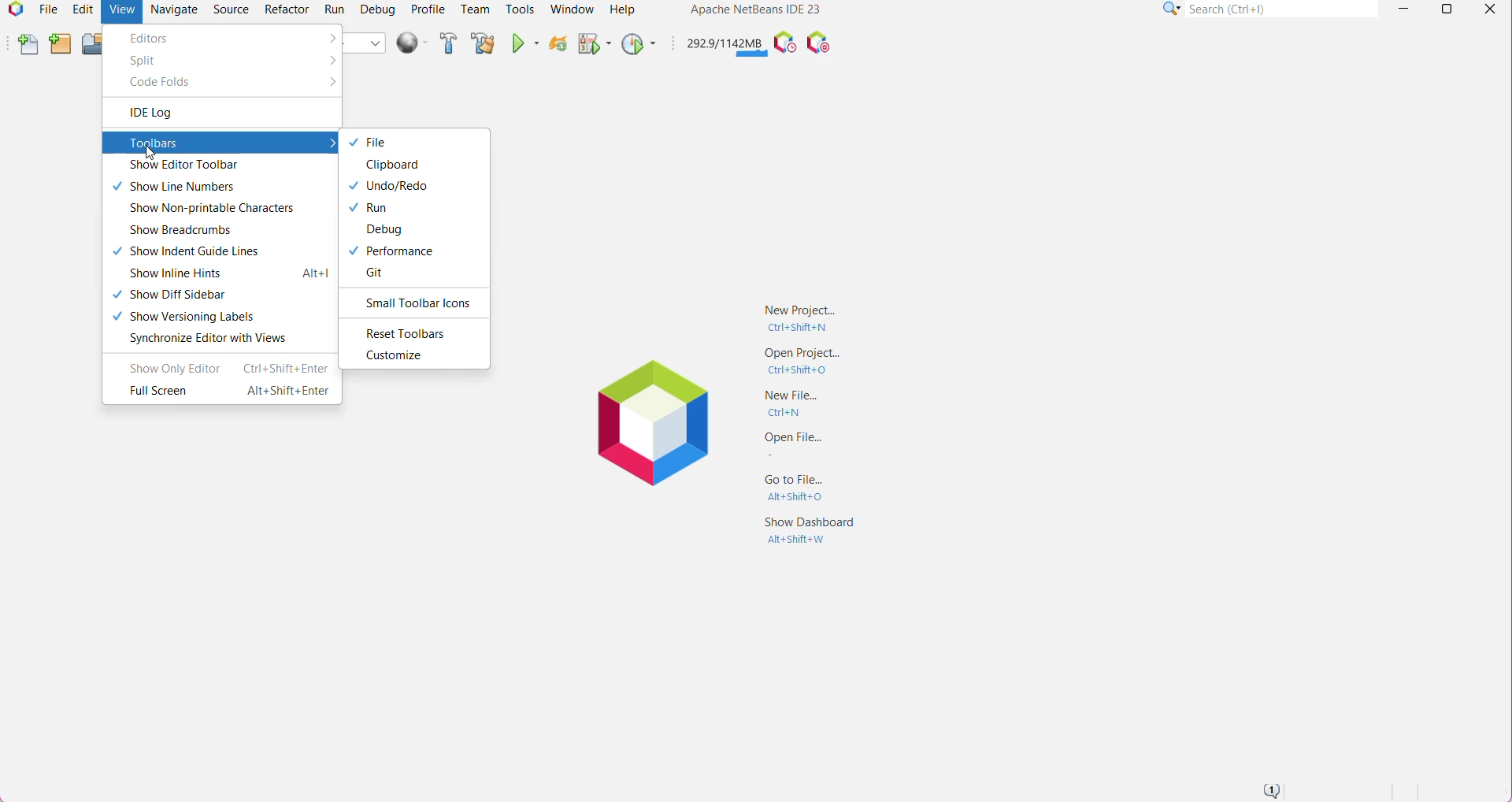  I want to click on Full Screen, so click(226, 392).